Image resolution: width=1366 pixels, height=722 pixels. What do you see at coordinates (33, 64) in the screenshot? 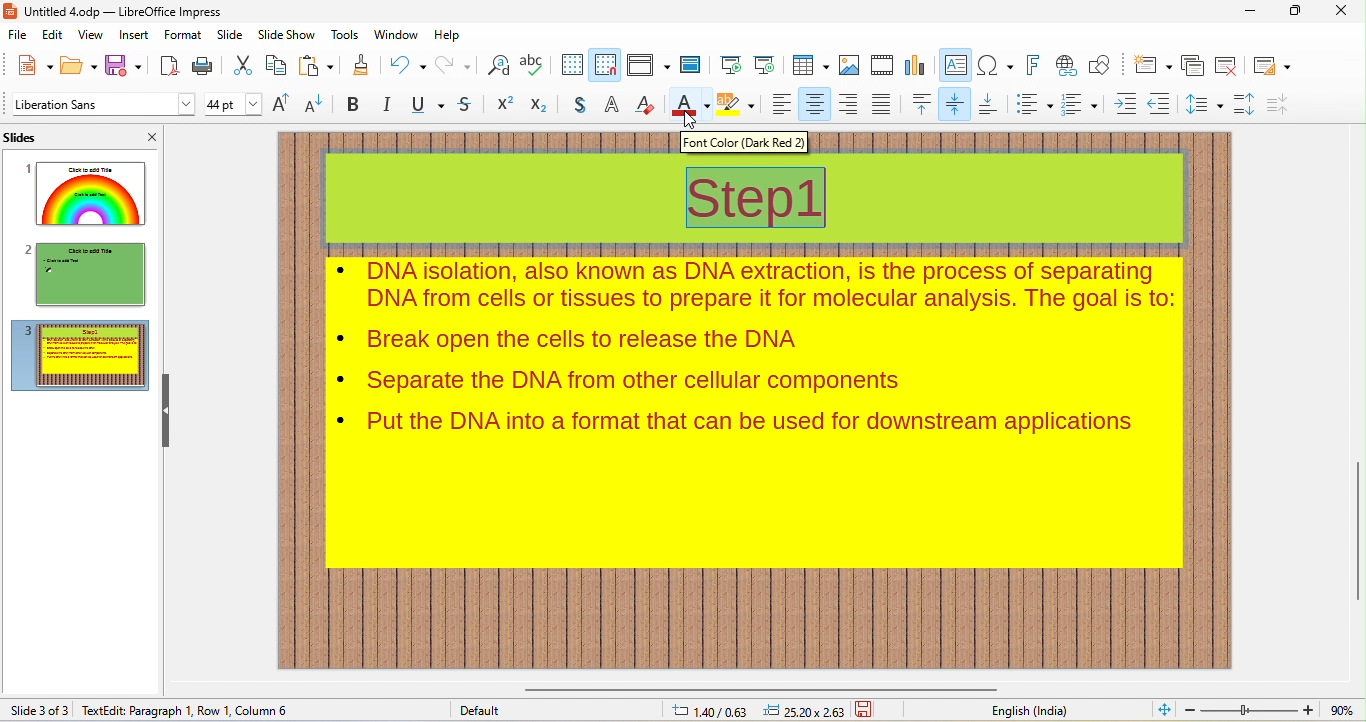
I see `new` at bounding box center [33, 64].